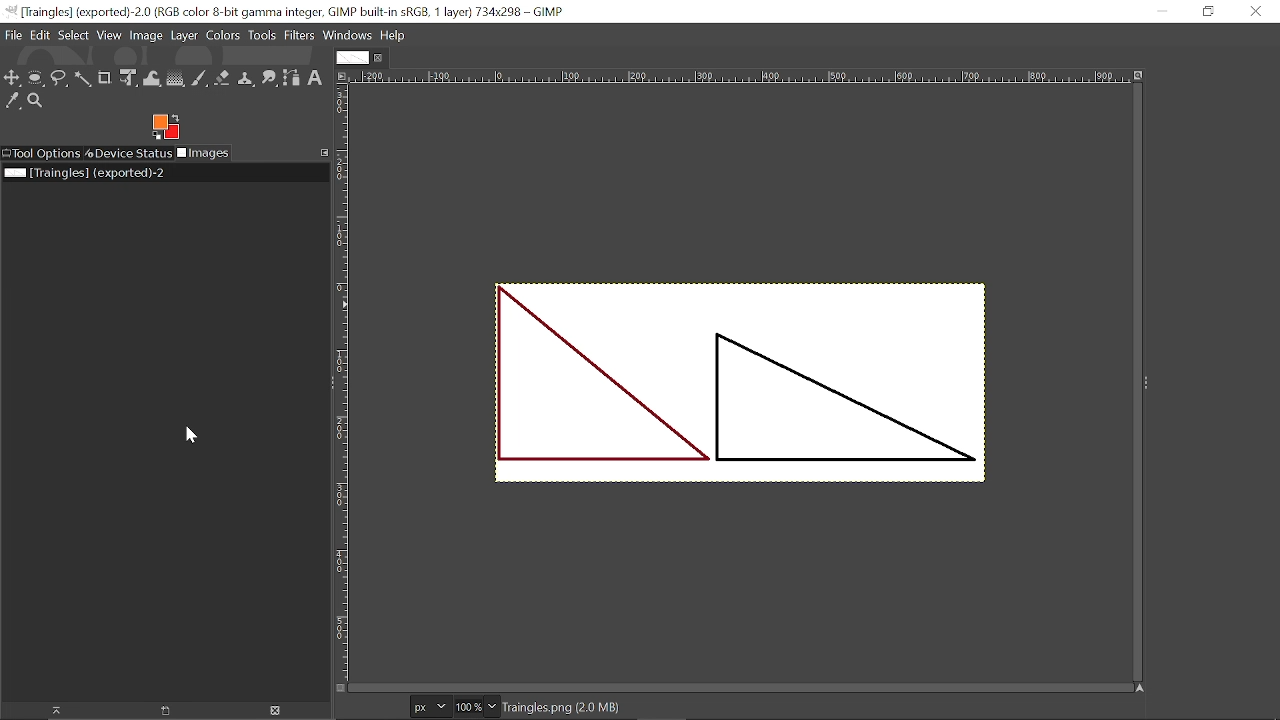 Image resolution: width=1280 pixels, height=720 pixels. What do you see at coordinates (110, 36) in the screenshot?
I see `View` at bounding box center [110, 36].